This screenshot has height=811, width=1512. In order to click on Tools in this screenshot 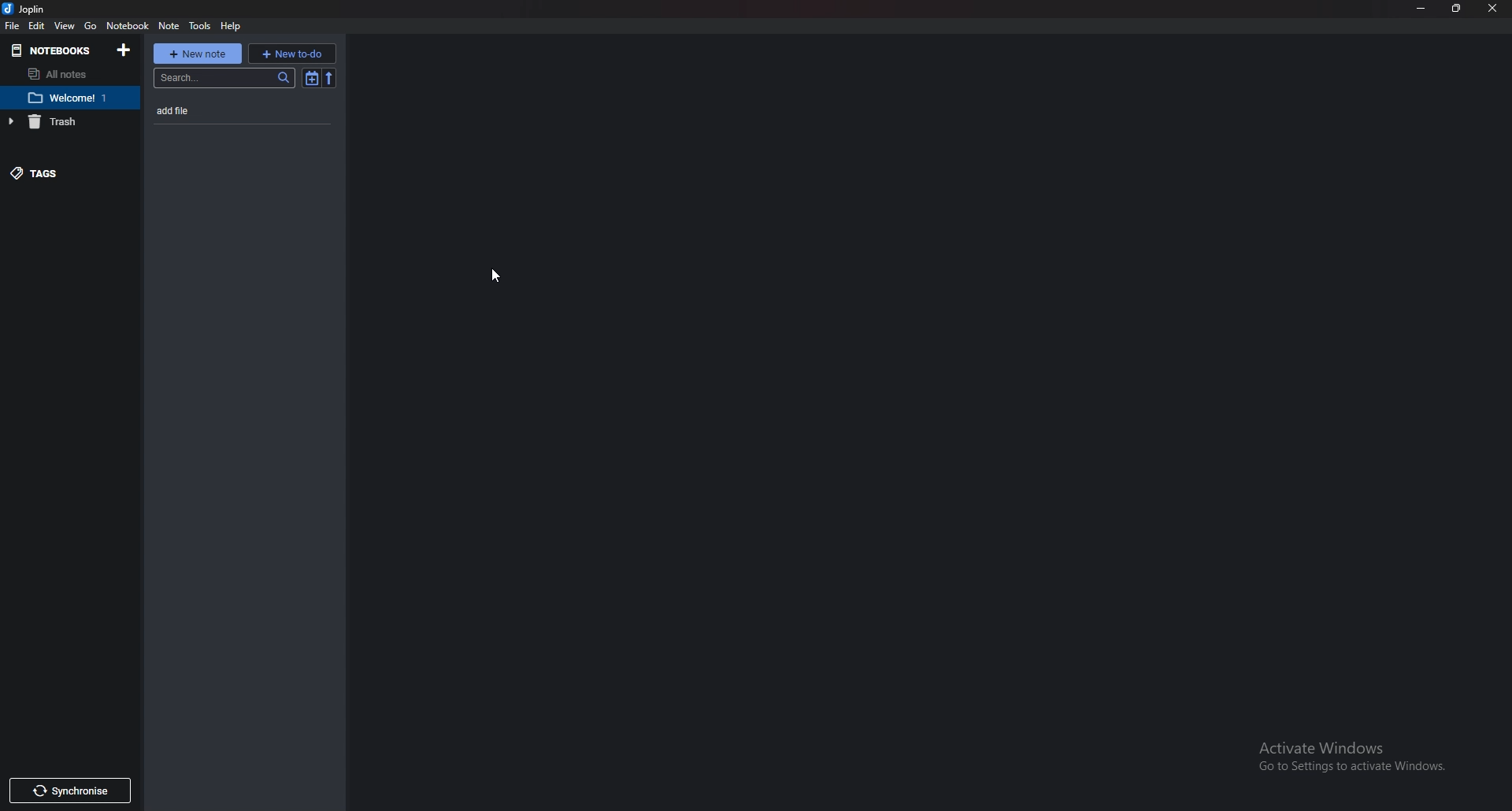, I will do `click(200, 26)`.